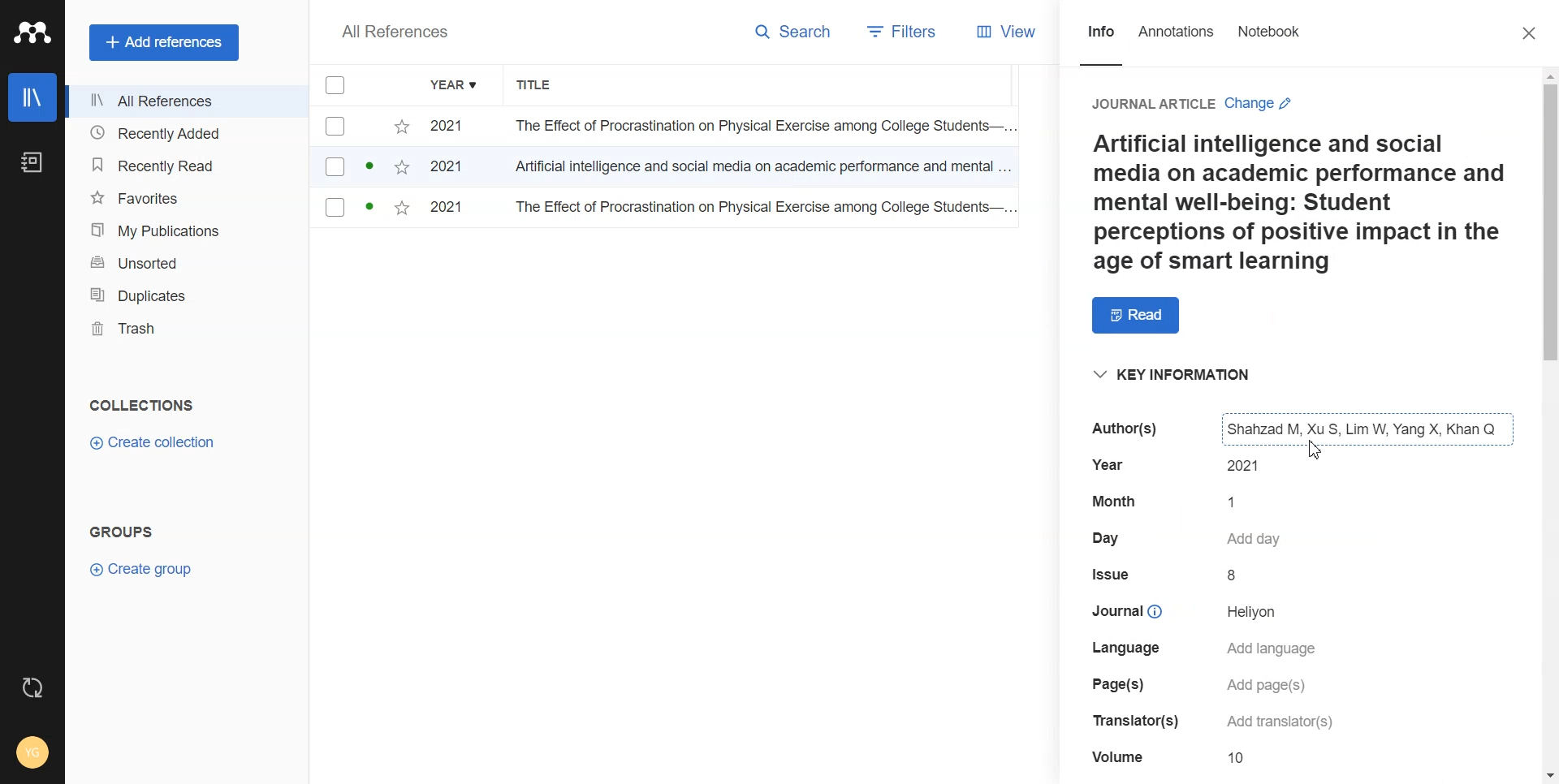  I want to click on checkbox, so click(363, 127).